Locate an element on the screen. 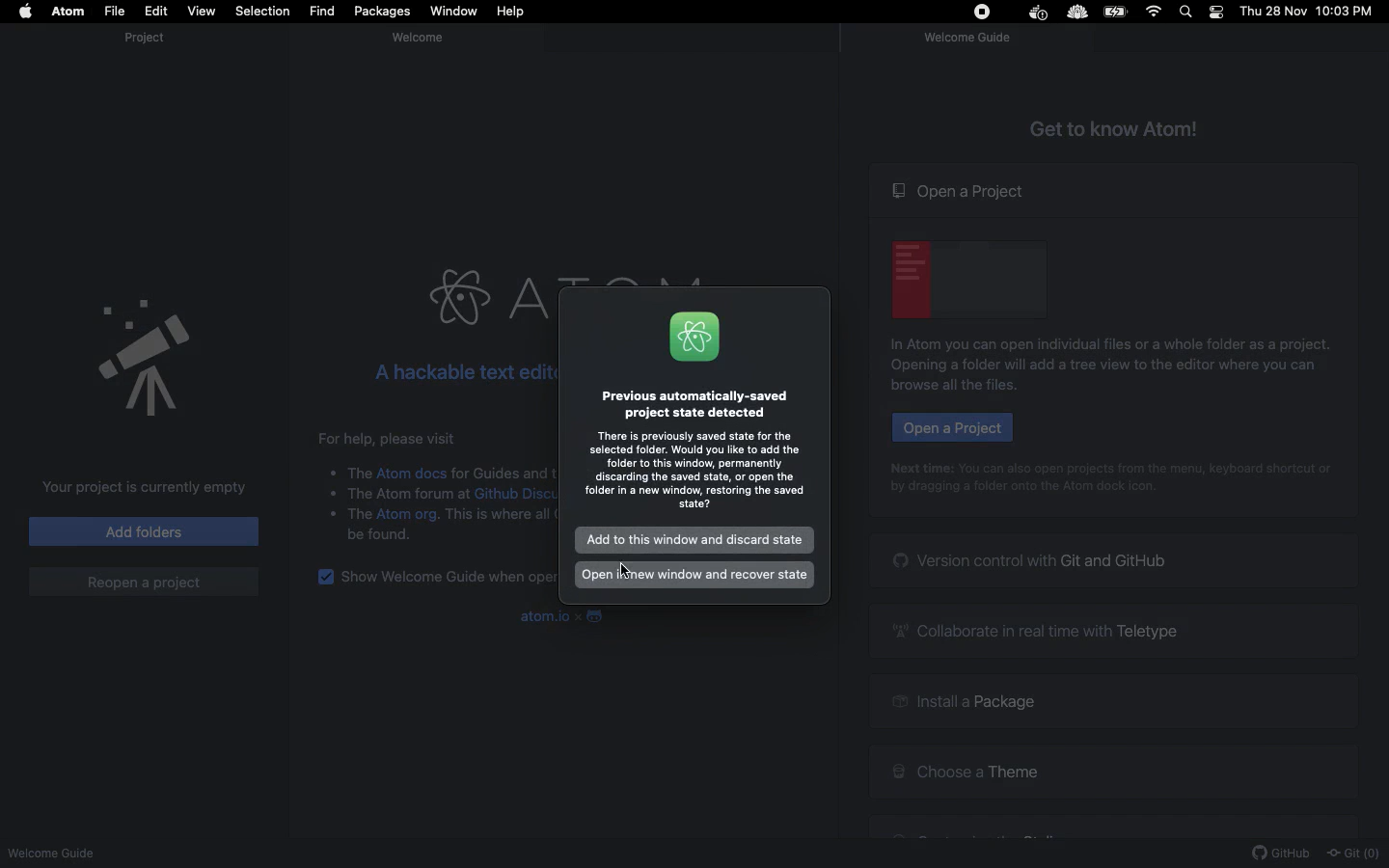  Welcome guide is located at coordinates (429, 38).